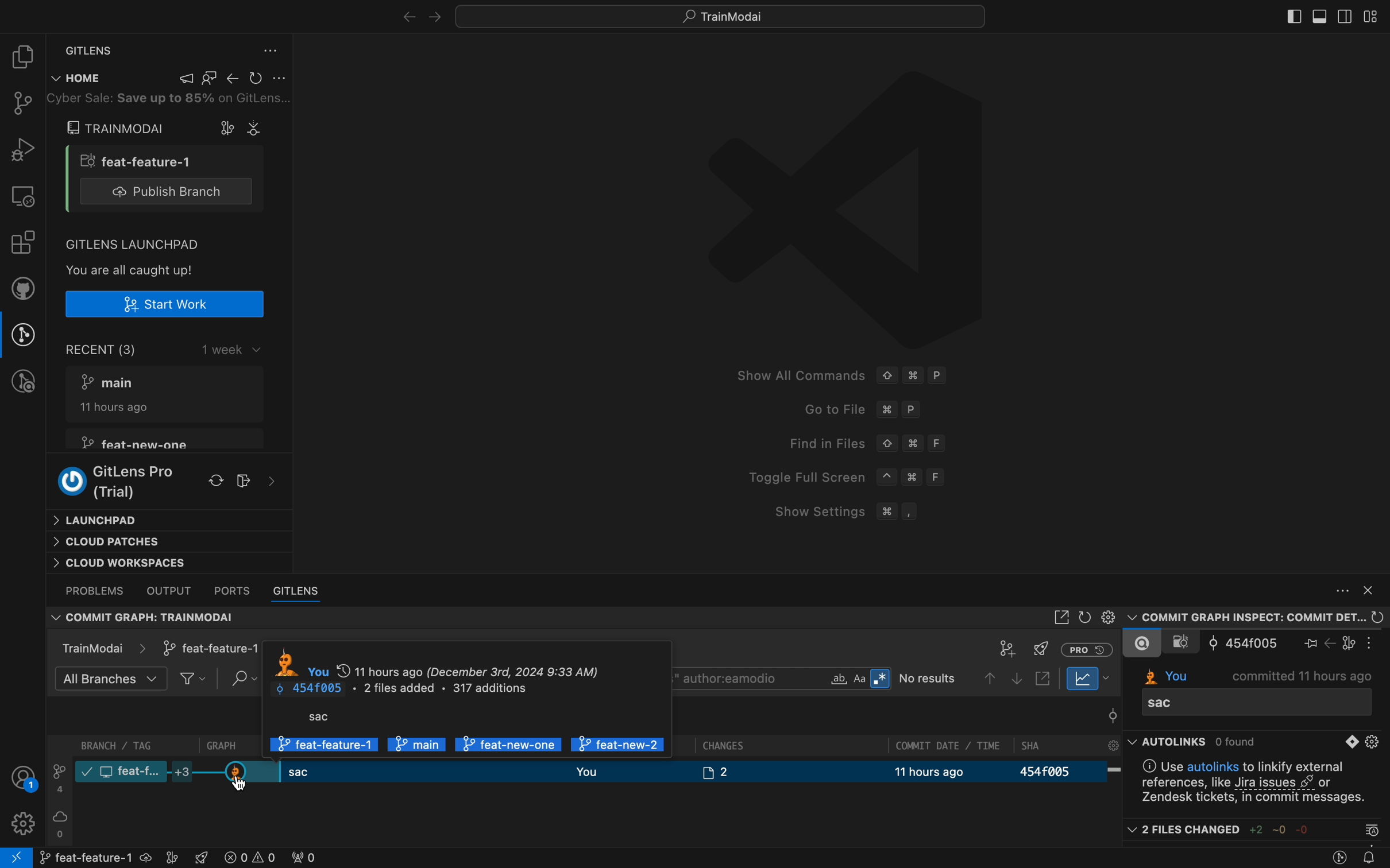 The image size is (1390, 868). I want to click on Recent, so click(177, 348).